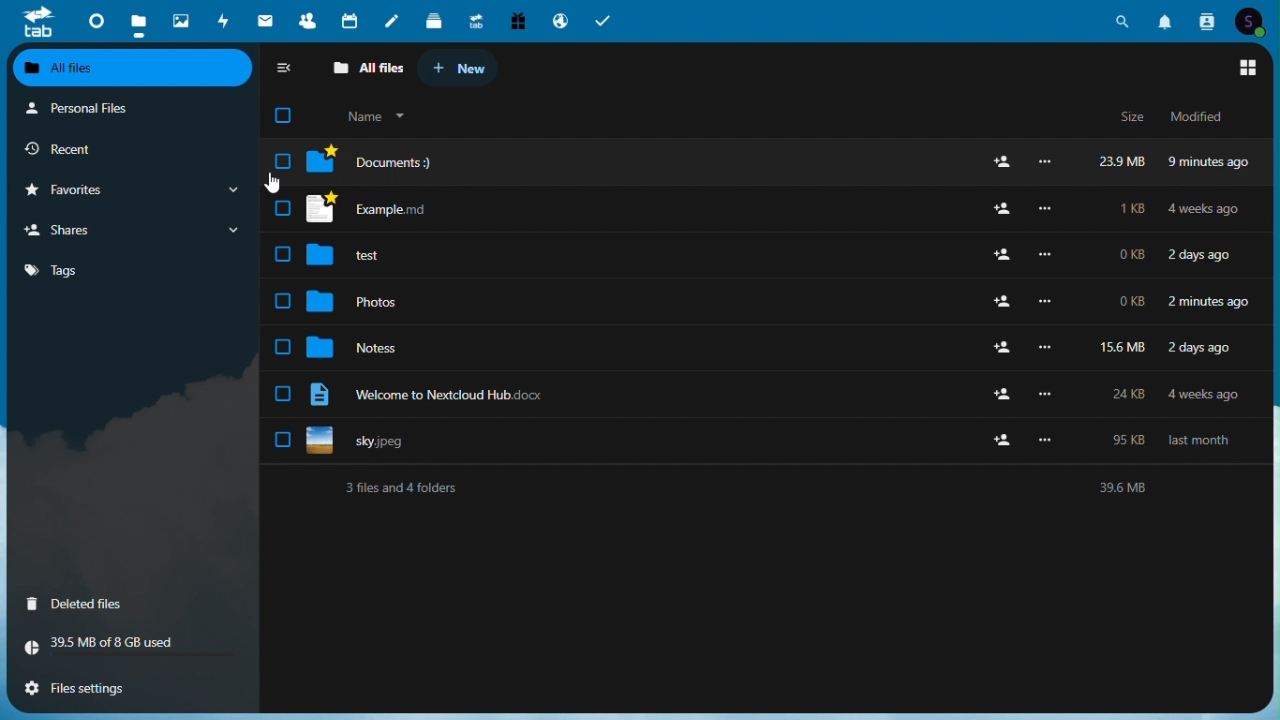 This screenshot has height=720, width=1280. I want to click on notifications, so click(1169, 19).